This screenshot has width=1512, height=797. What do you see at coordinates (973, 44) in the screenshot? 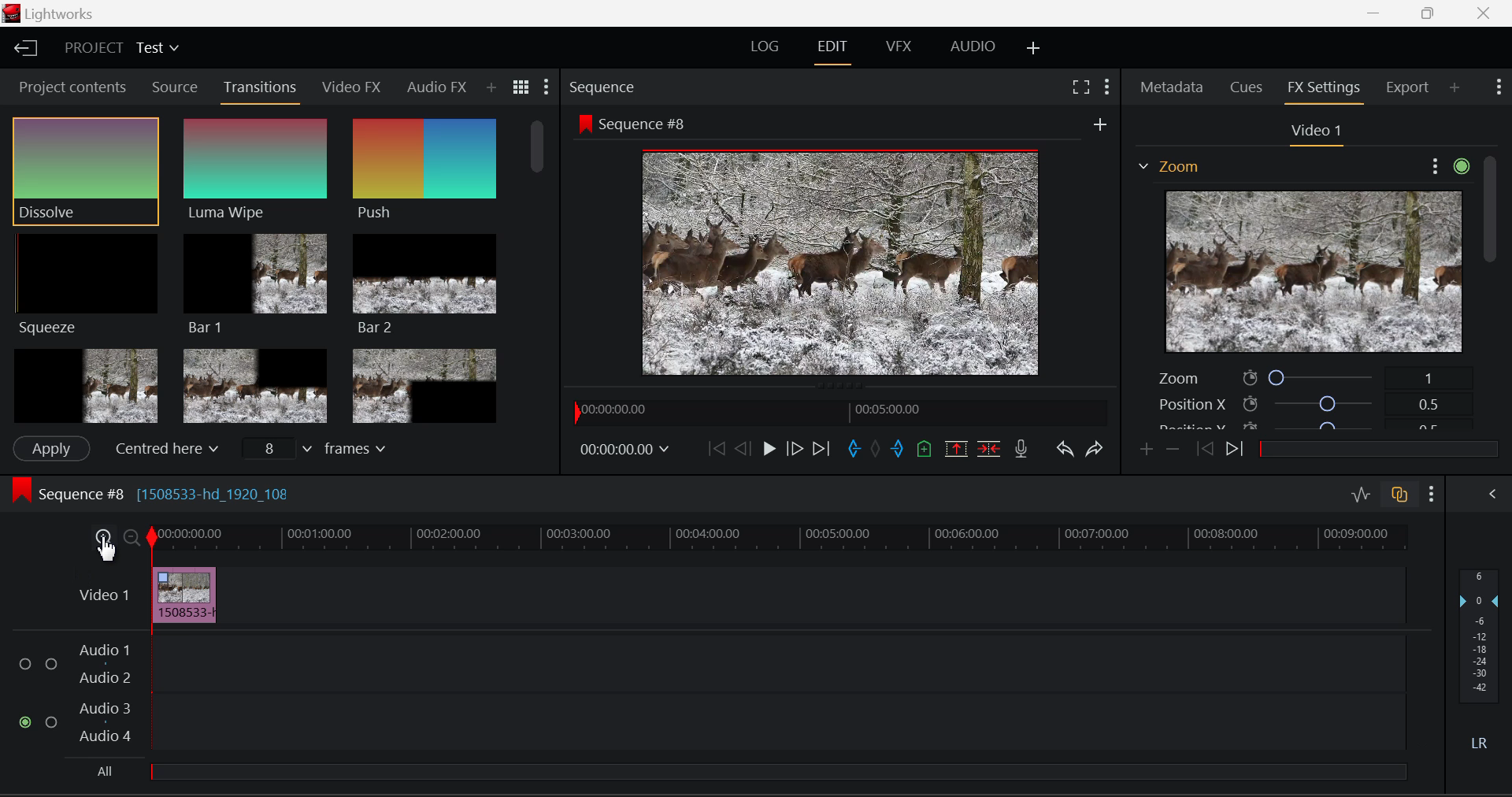
I see `AUDIO Layout` at bounding box center [973, 44].